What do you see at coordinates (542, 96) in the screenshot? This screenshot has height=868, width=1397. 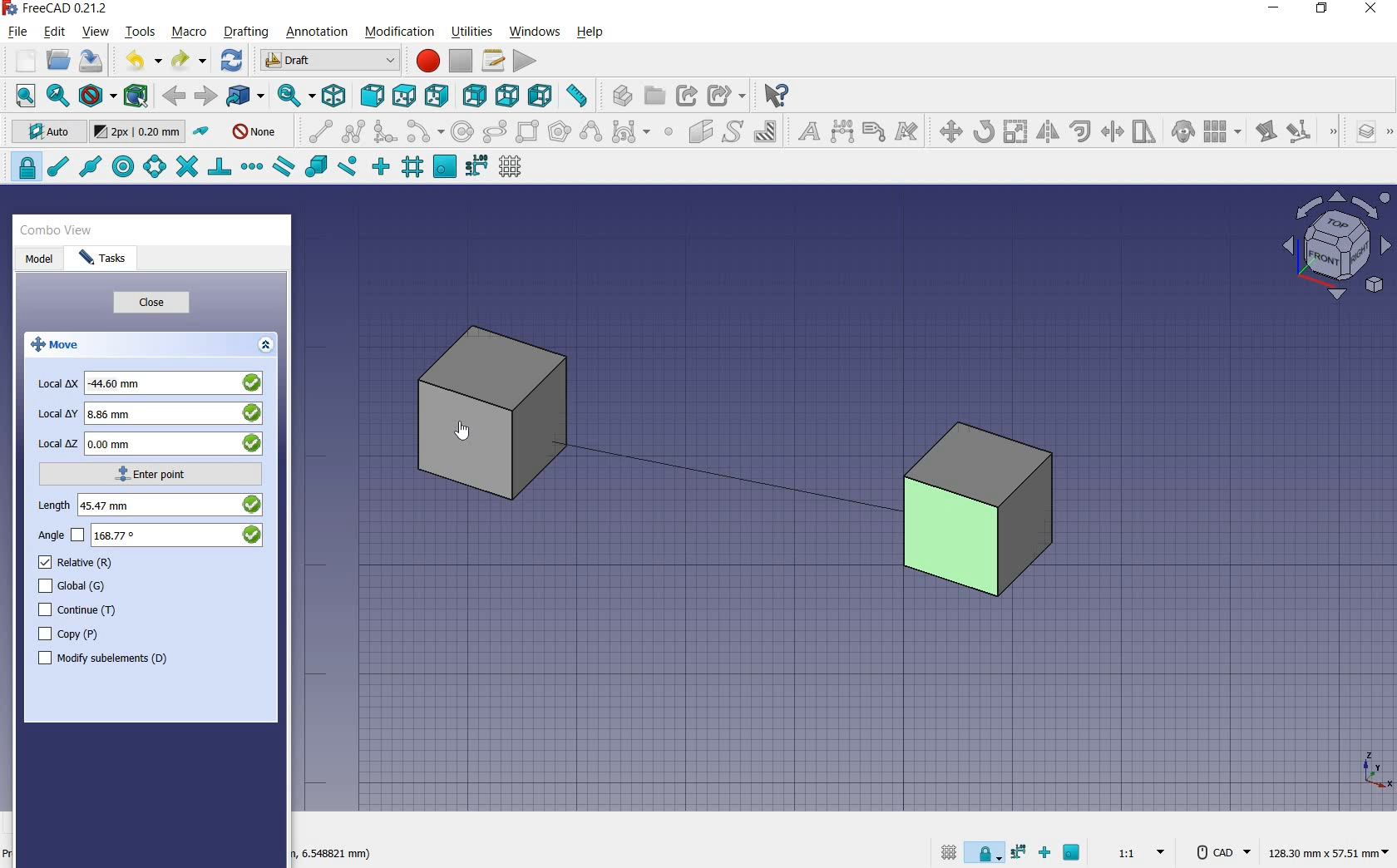 I see `left` at bounding box center [542, 96].